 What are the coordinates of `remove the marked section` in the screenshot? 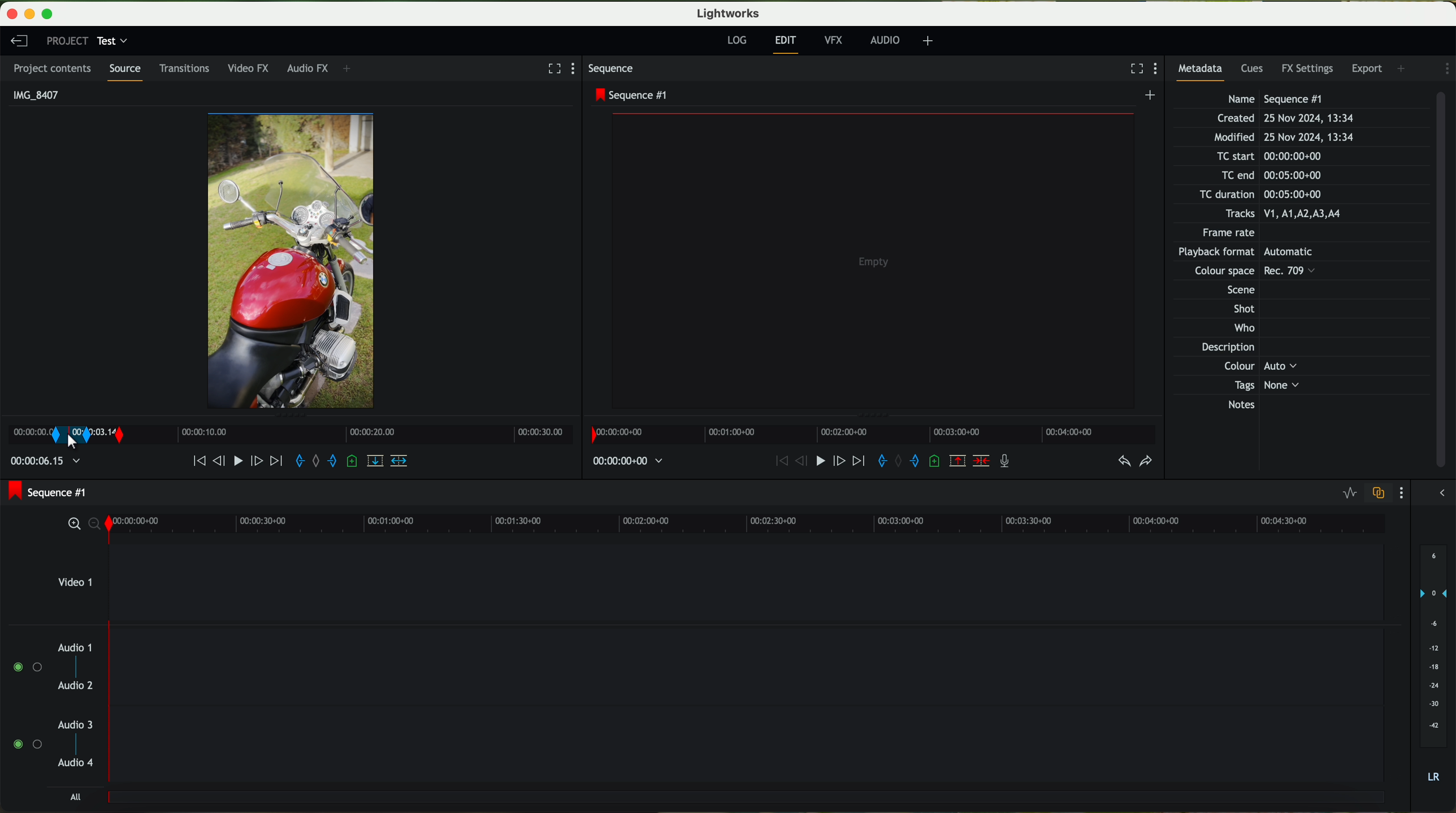 It's located at (959, 462).